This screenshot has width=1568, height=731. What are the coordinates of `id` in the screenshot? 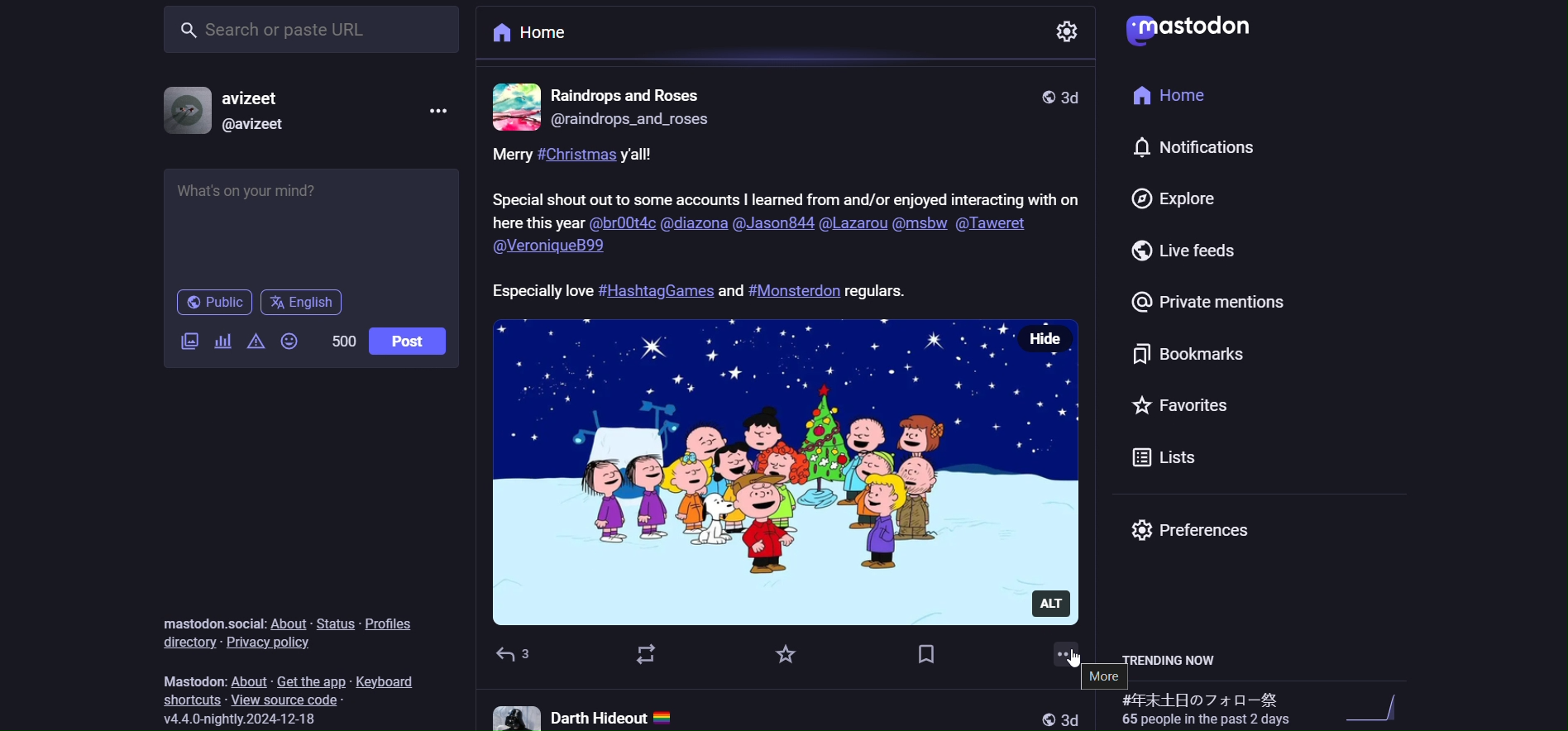 It's located at (256, 127).